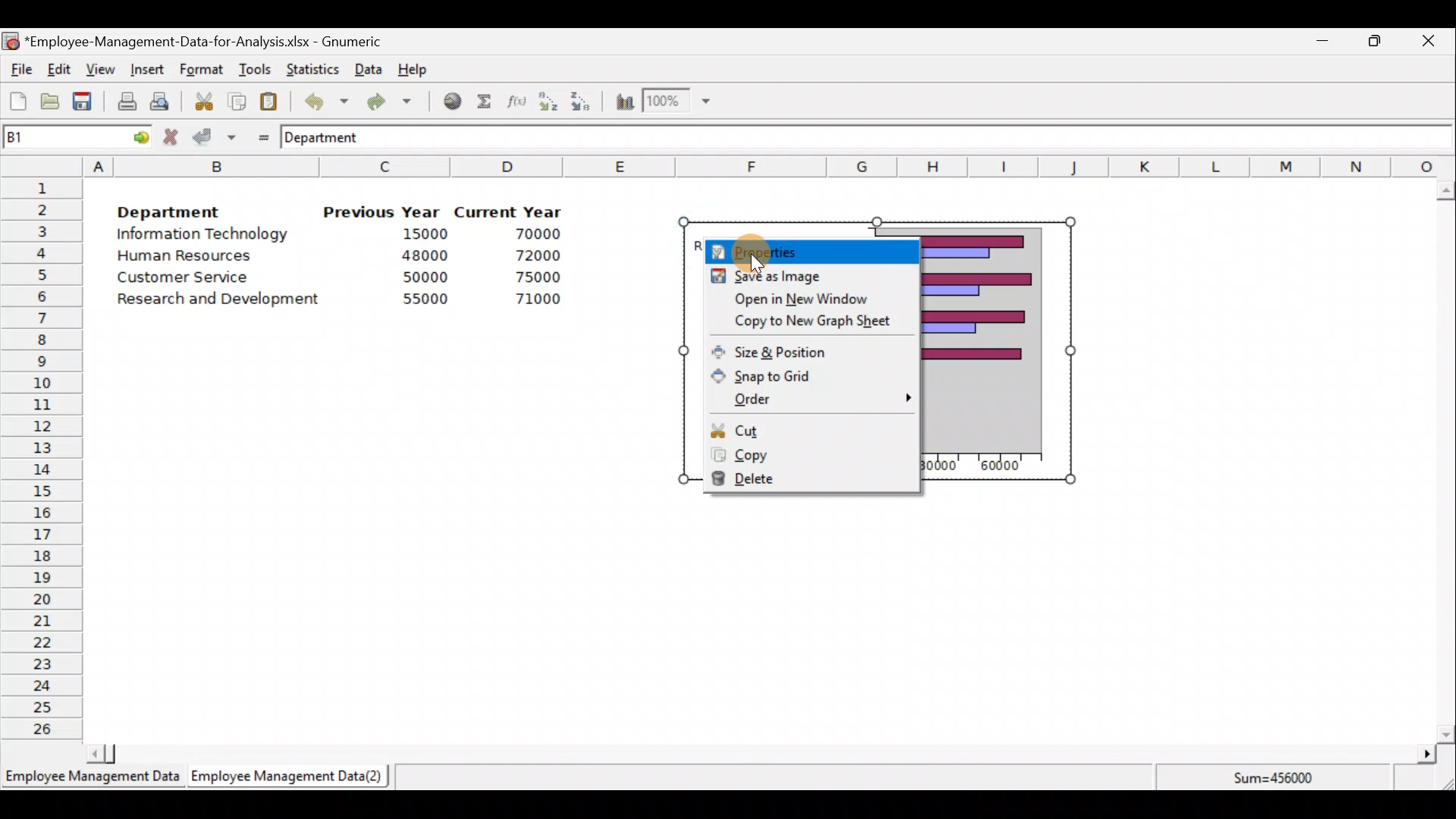 Image resolution: width=1456 pixels, height=819 pixels. Describe the element at coordinates (802, 454) in the screenshot. I see `Copy` at that location.